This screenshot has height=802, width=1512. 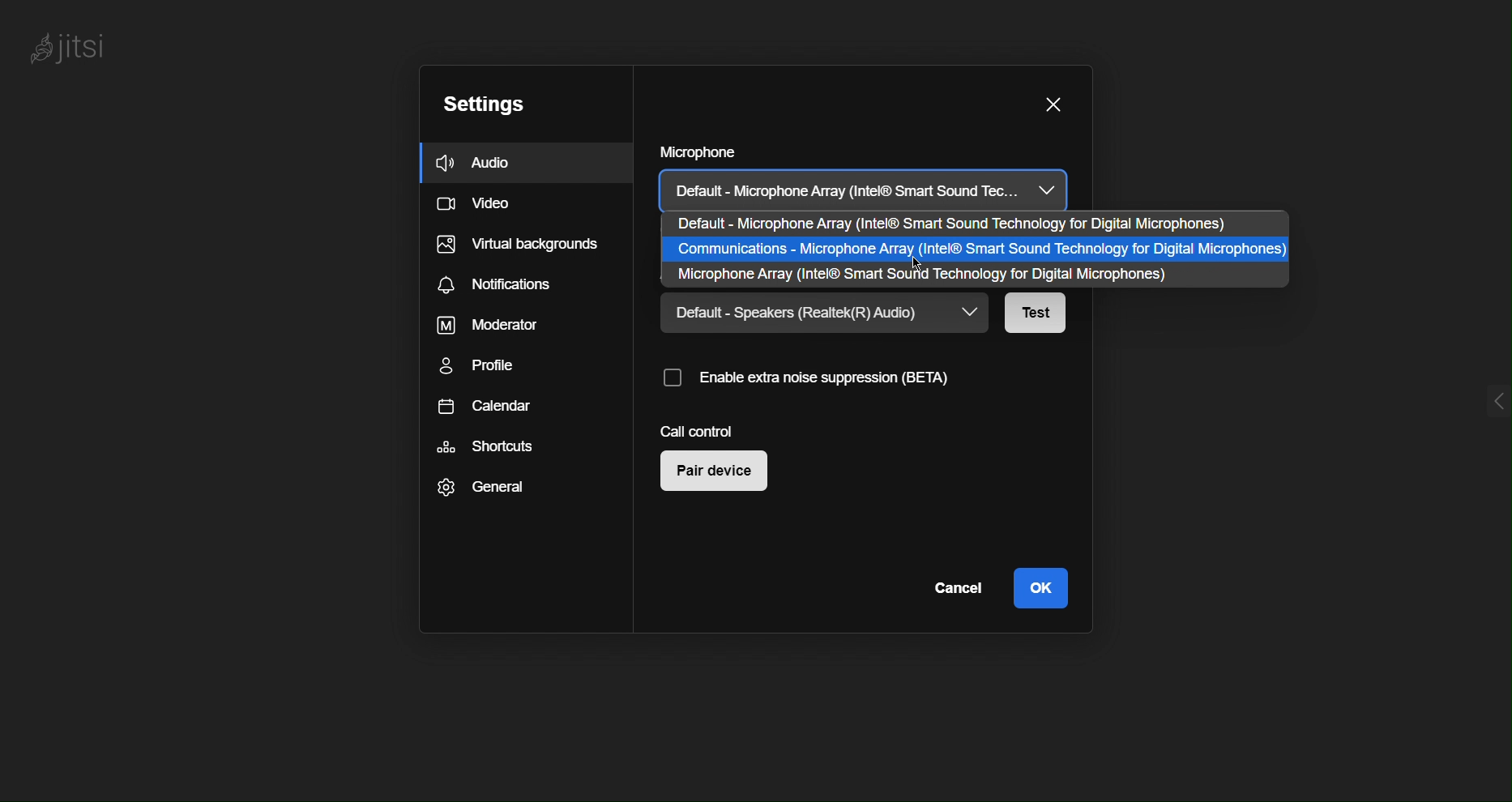 What do you see at coordinates (977, 248) in the screenshot?
I see `Communications - Microphone Array (Intel® Smart Sound Technology for Digital Microphones)` at bounding box center [977, 248].